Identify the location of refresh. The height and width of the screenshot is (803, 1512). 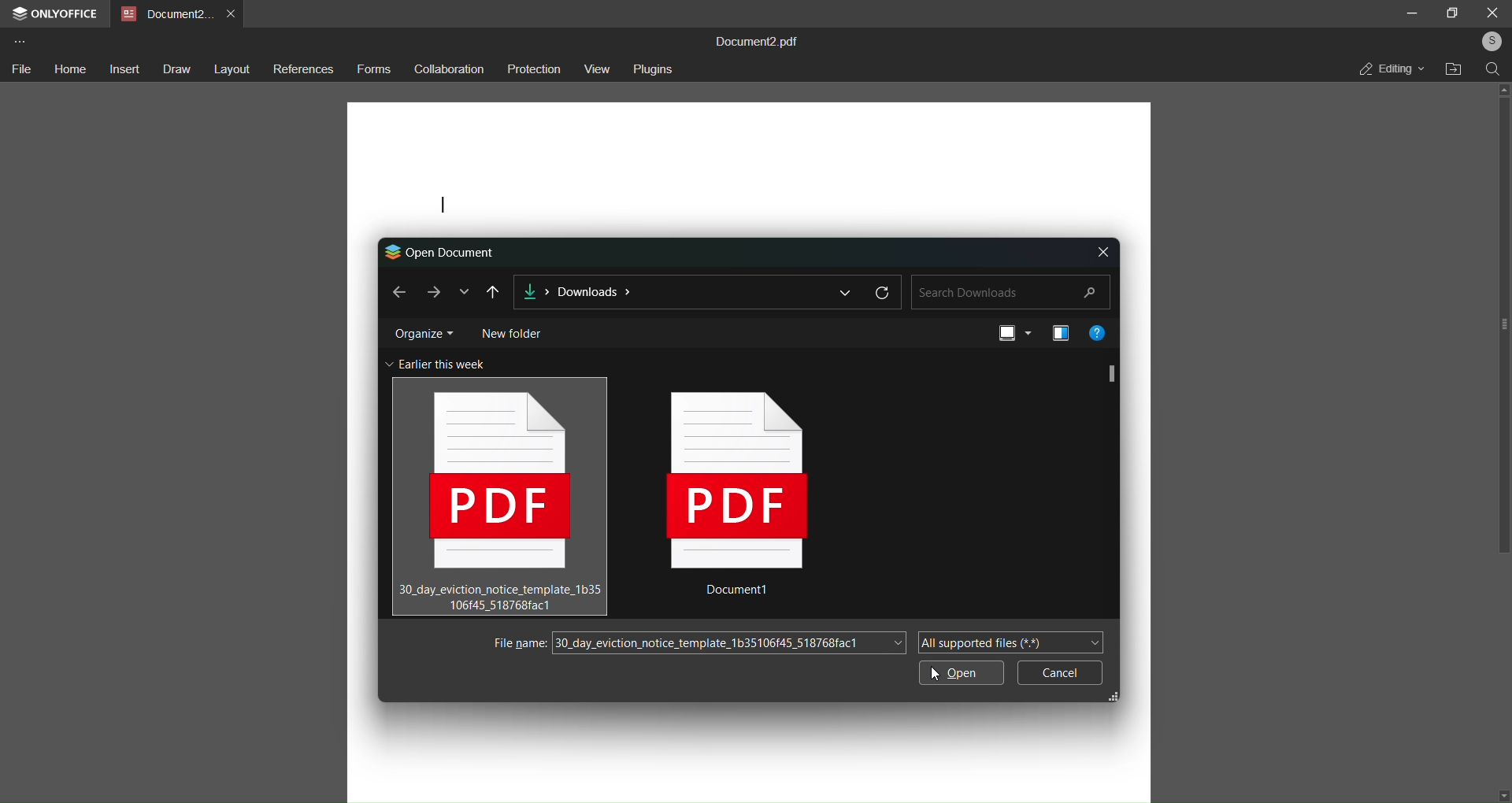
(884, 291).